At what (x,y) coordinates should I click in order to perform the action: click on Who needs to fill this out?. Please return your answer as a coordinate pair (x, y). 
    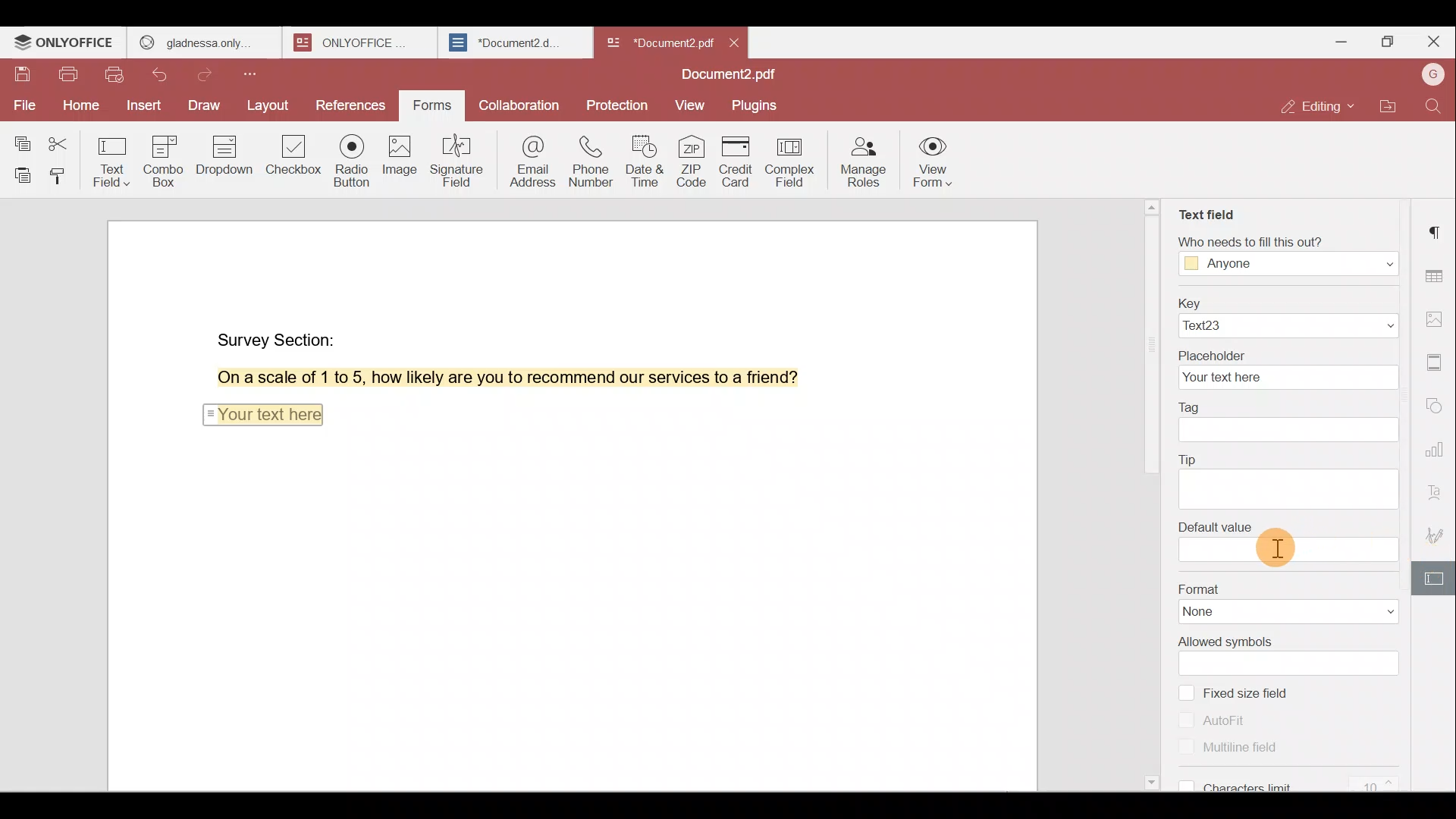
    Looking at the image, I should click on (1288, 255).